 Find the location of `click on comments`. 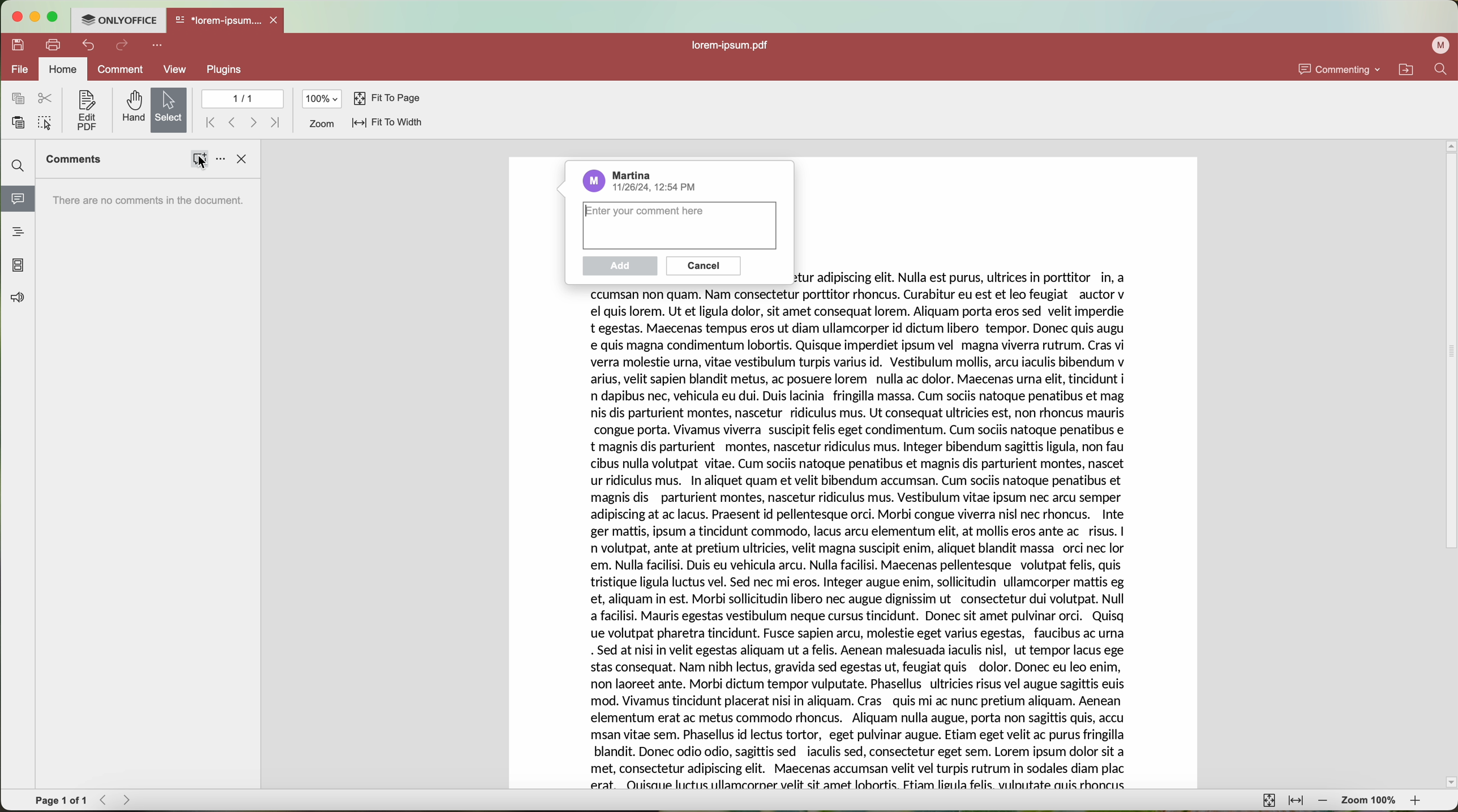

click on comments is located at coordinates (199, 160).